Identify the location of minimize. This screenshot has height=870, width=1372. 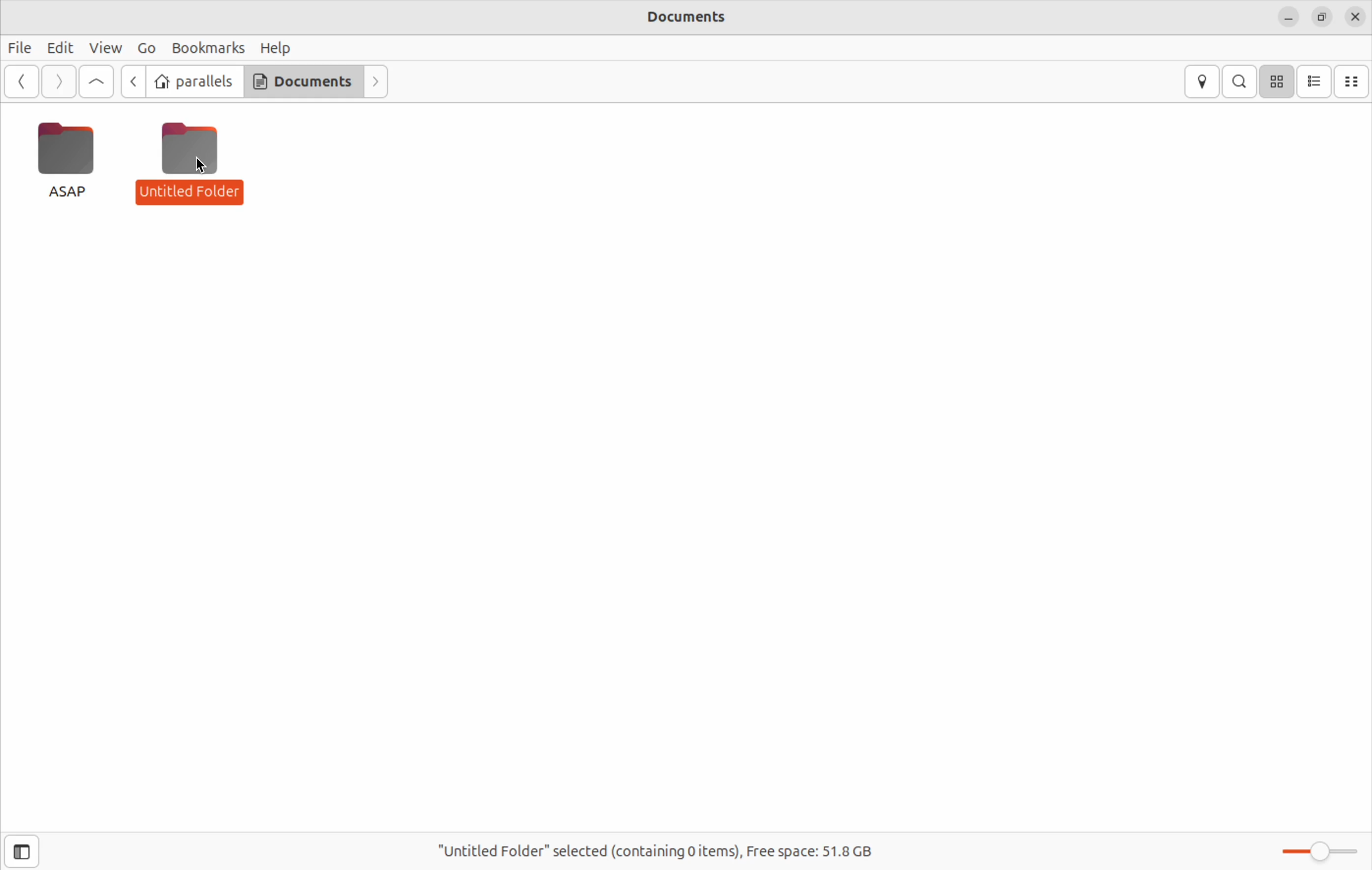
(1288, 18).